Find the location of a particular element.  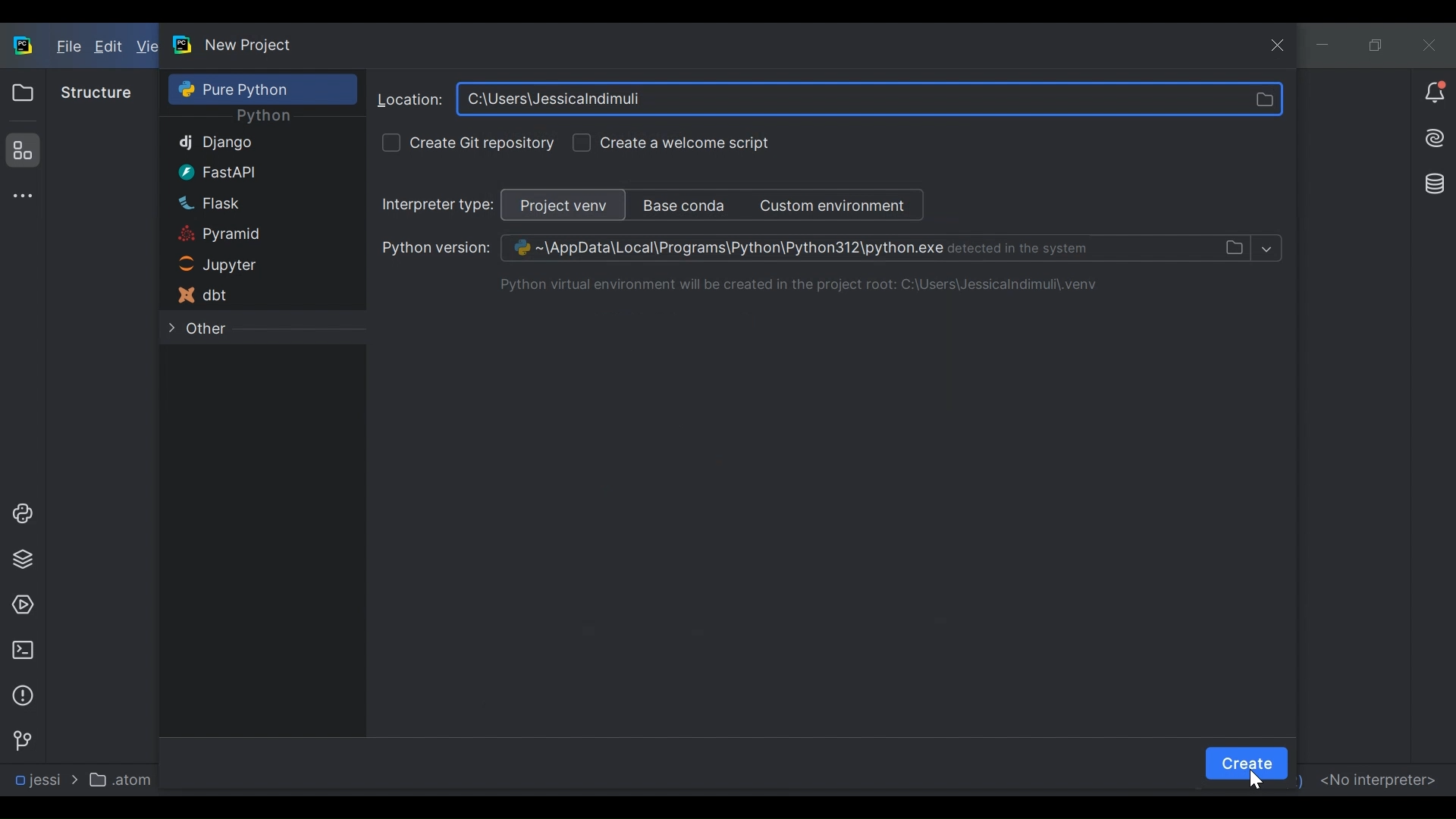

Other is located at coordinates (240, 329).